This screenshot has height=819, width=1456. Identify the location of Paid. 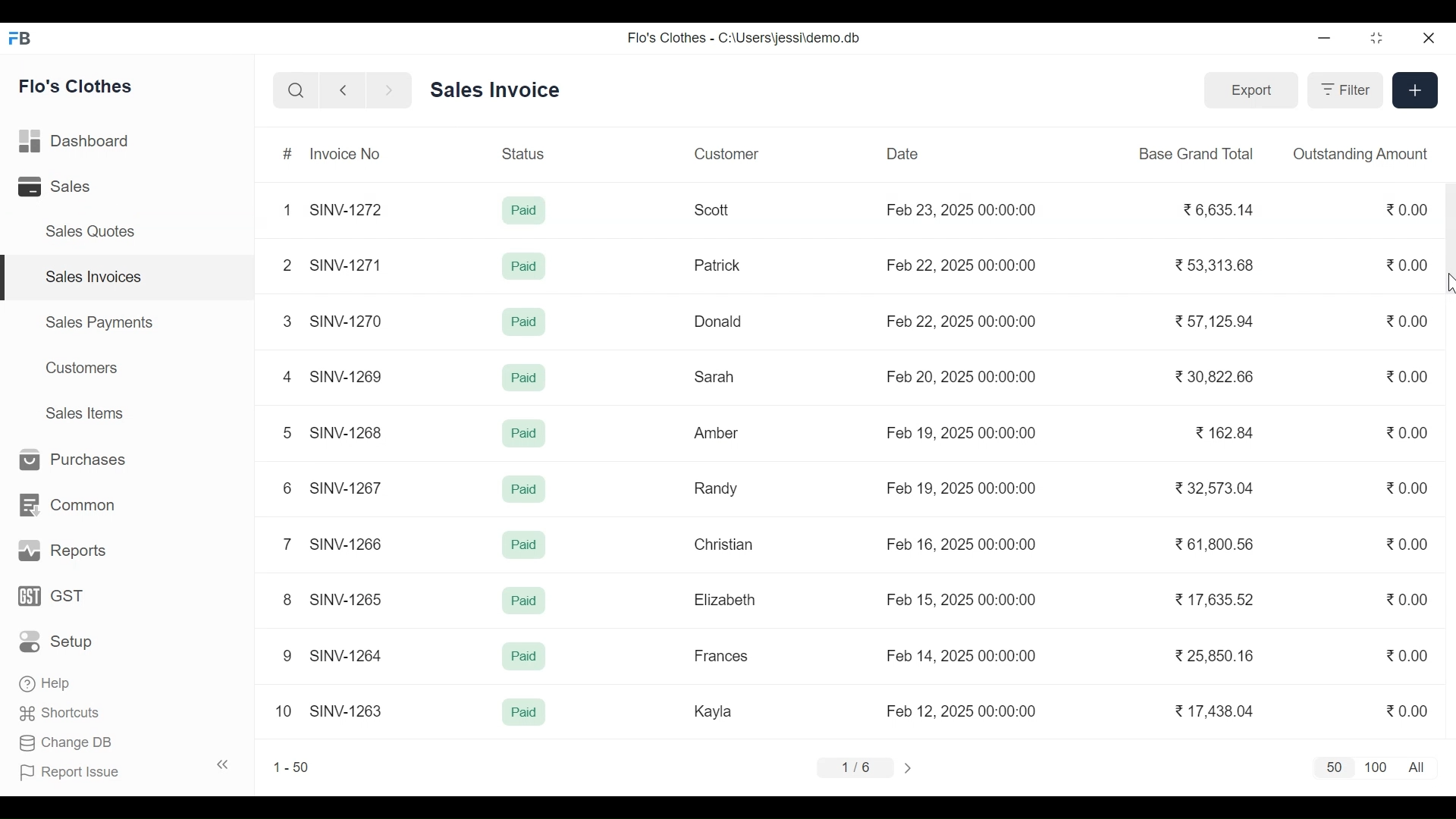
(526, 602).